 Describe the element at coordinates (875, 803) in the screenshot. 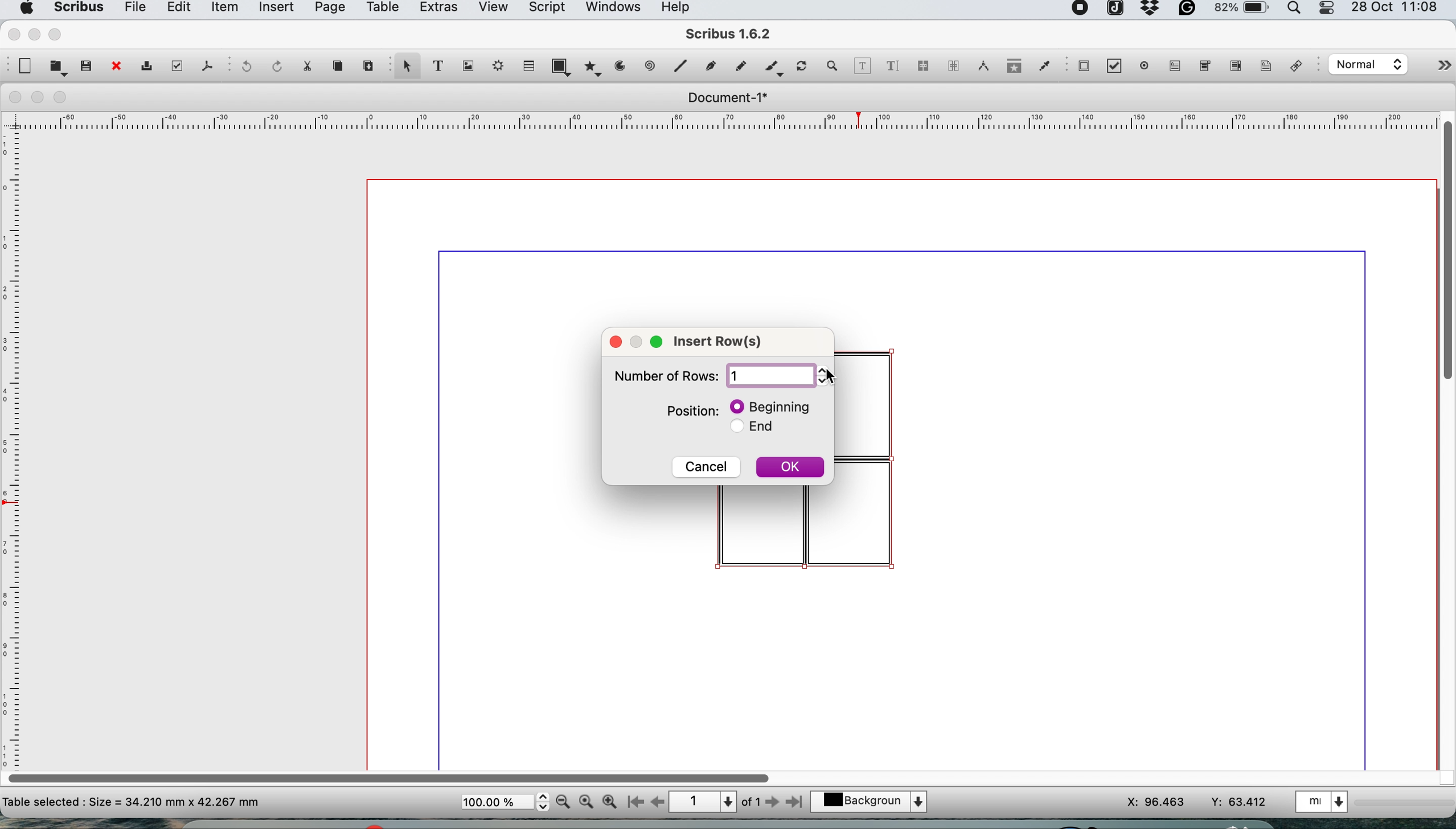

I see `select the current layer` at that location.